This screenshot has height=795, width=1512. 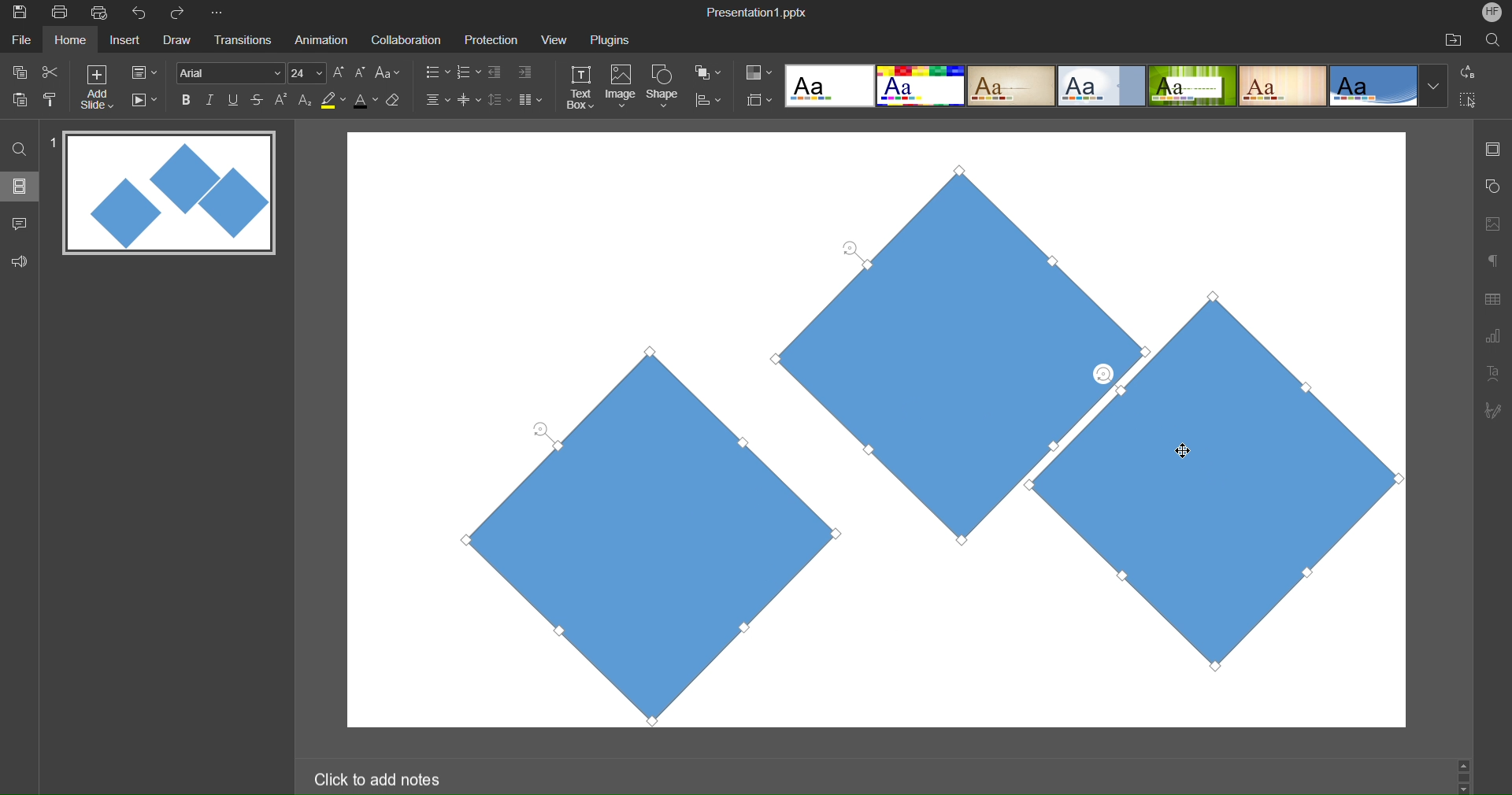 What do you see at coordinates (709, 72) in the screenshot?
I see `Arrange` at bounding box center [709, 72].